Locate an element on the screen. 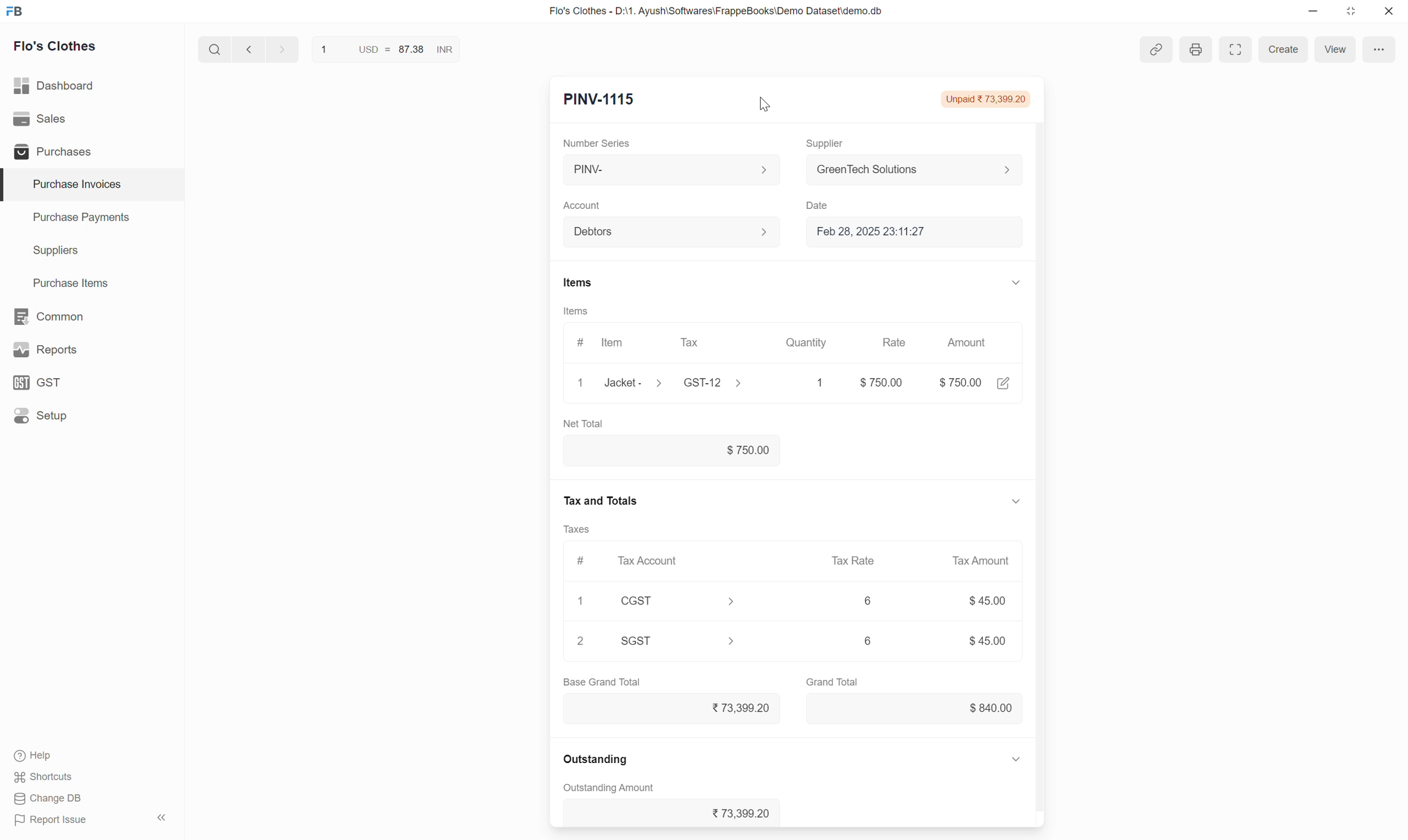 Image resolution: width=1408 pixels, height=840 pixels. 1 USD = 87.38 INR is located at coordinates (384, 49).